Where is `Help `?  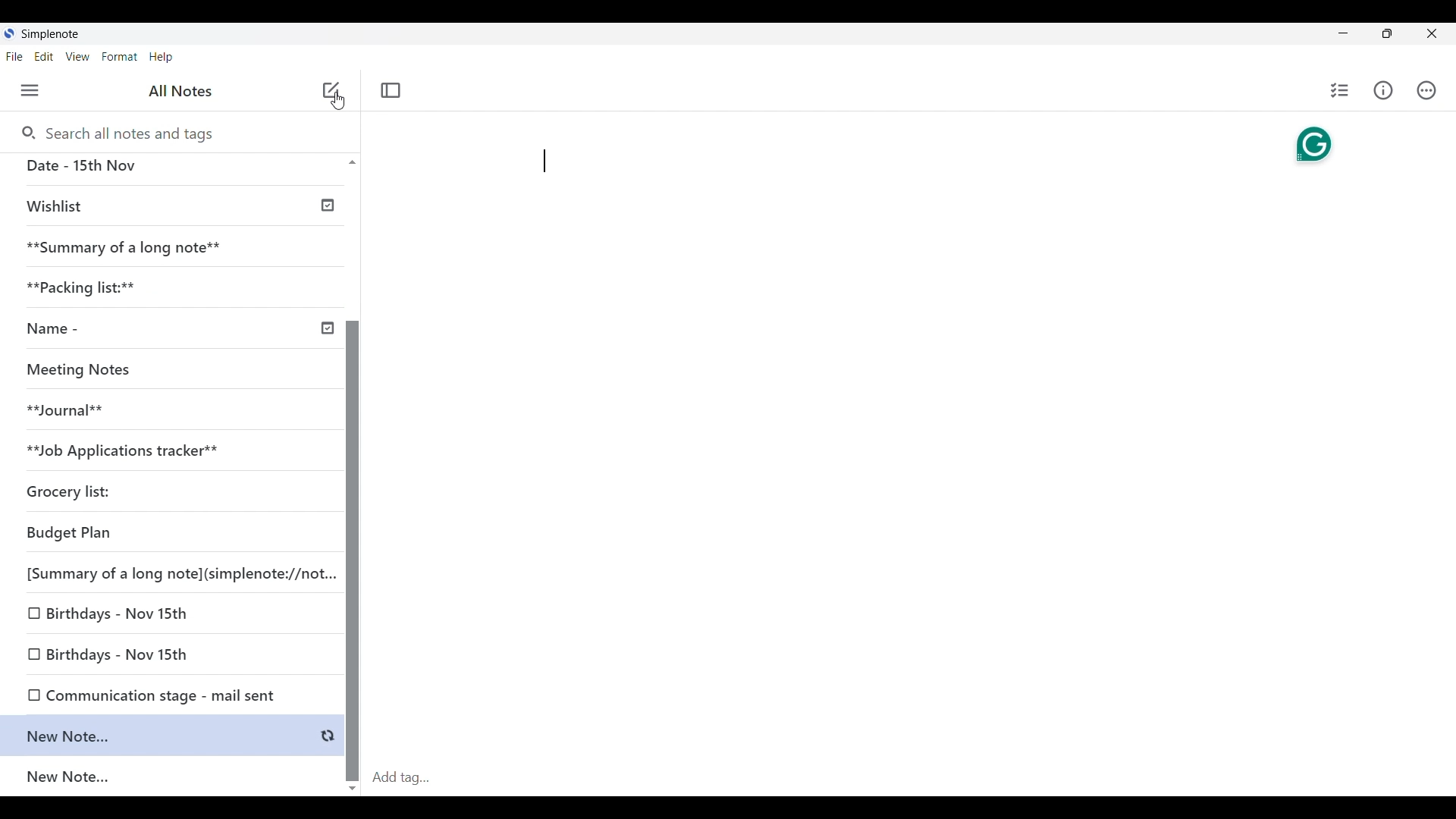 Help  is located at coordinates (162, 58).